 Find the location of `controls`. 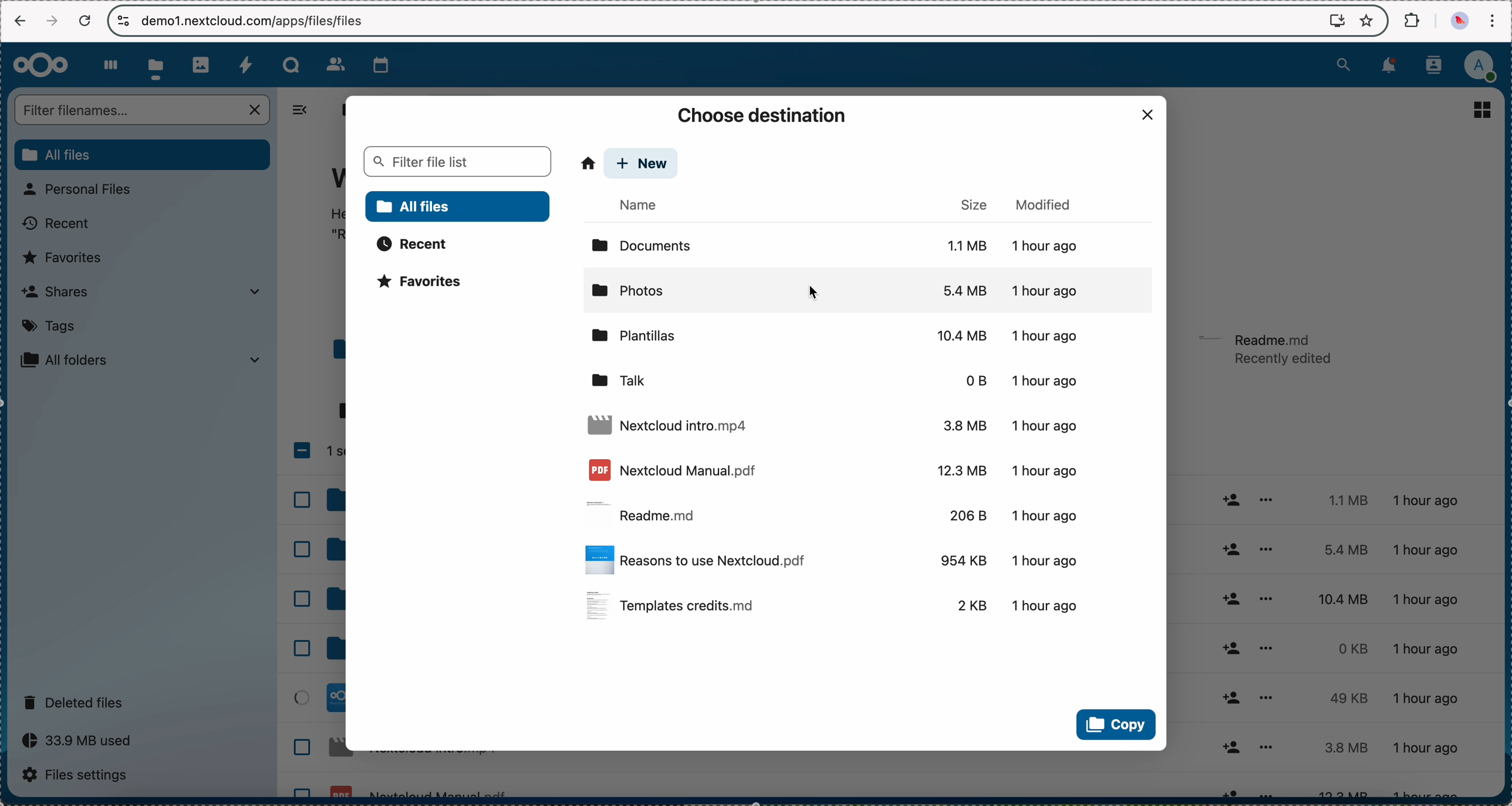

controls is located at coordinates (124, 21).